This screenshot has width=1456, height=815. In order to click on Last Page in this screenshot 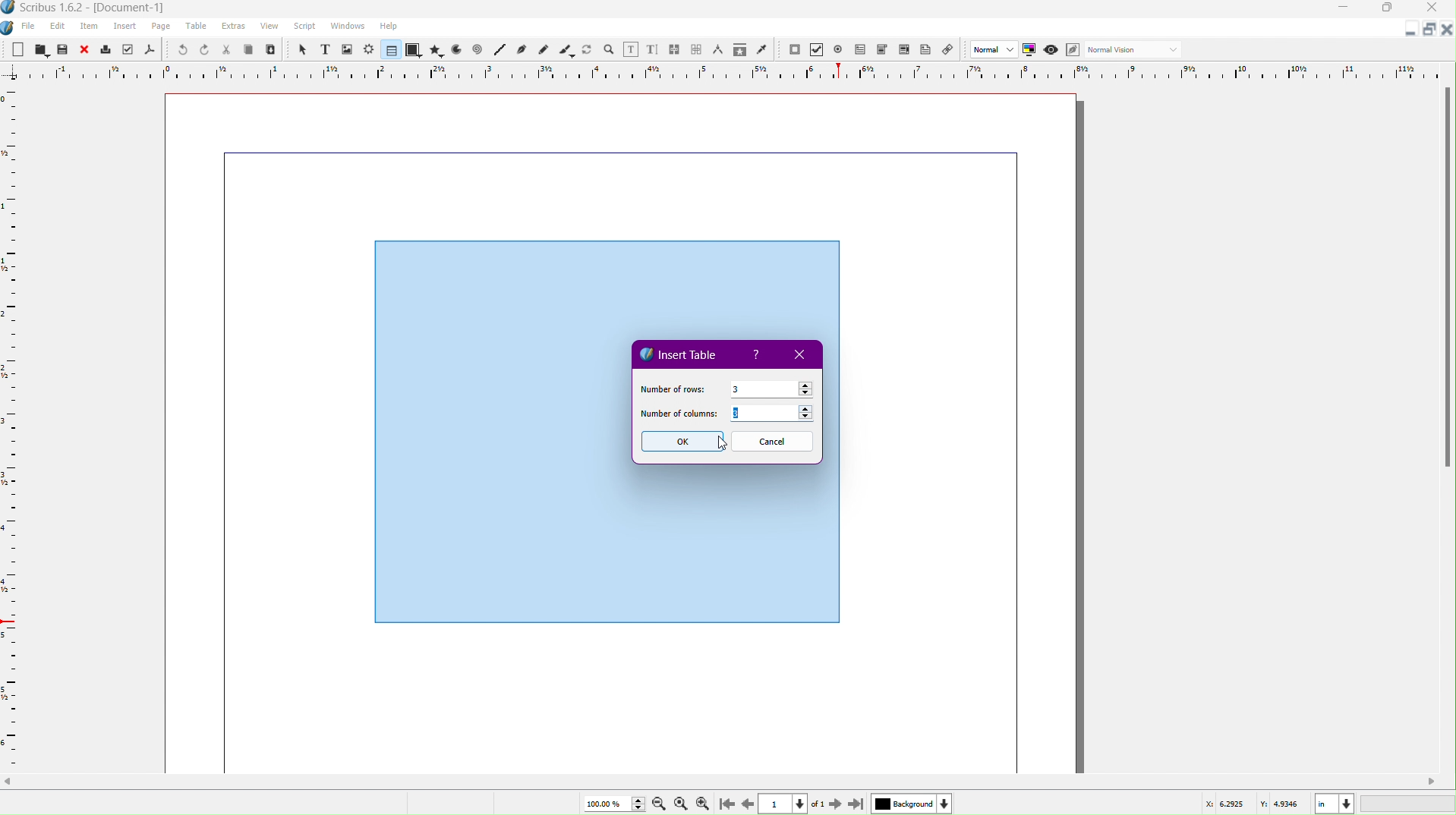, I will do `click(857, 803)`.